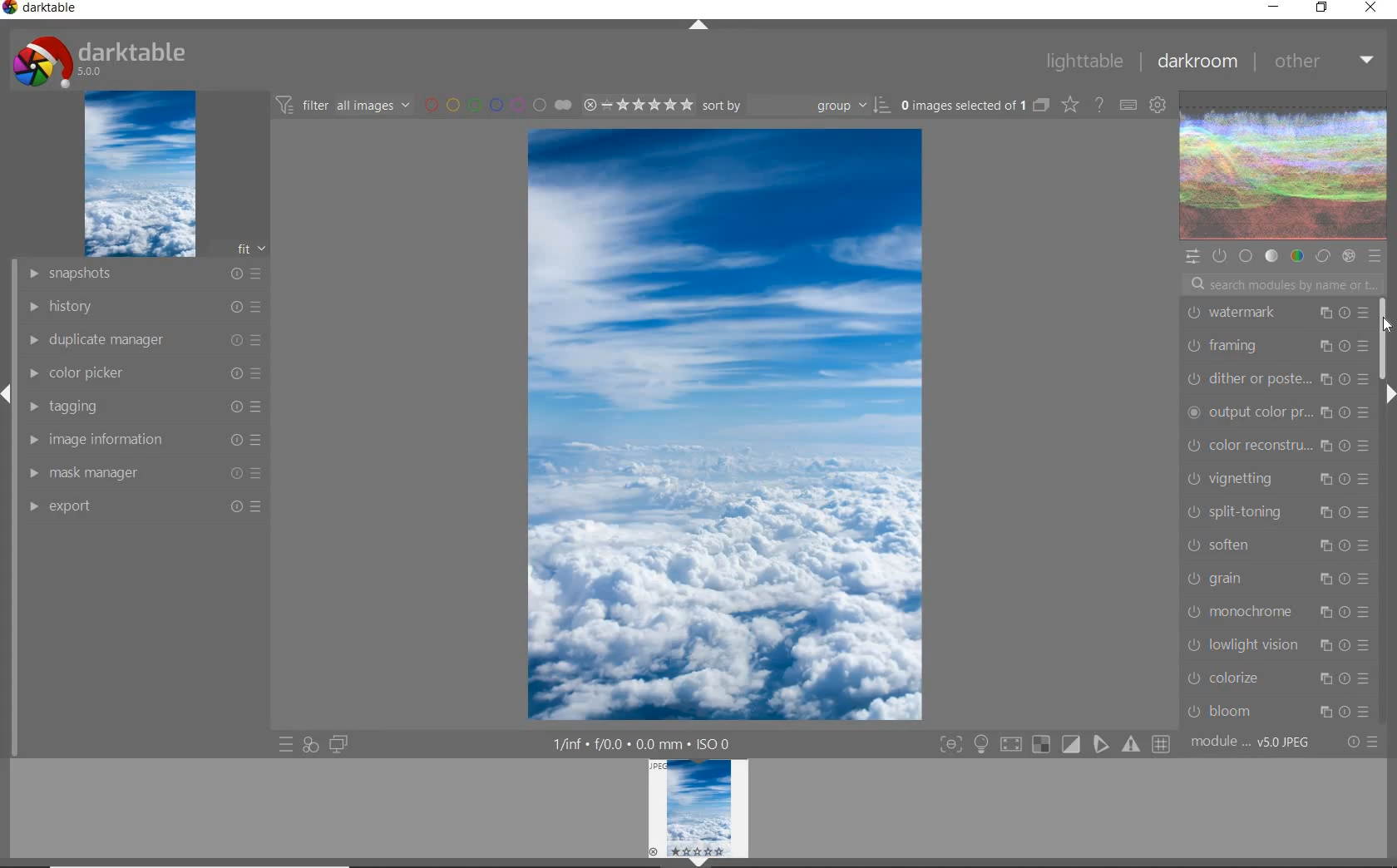 The image size is (1397, 868). Describe the element at coordinates (1054, 747) in the screenshot. I see `TOGGLE MODES` at that location.